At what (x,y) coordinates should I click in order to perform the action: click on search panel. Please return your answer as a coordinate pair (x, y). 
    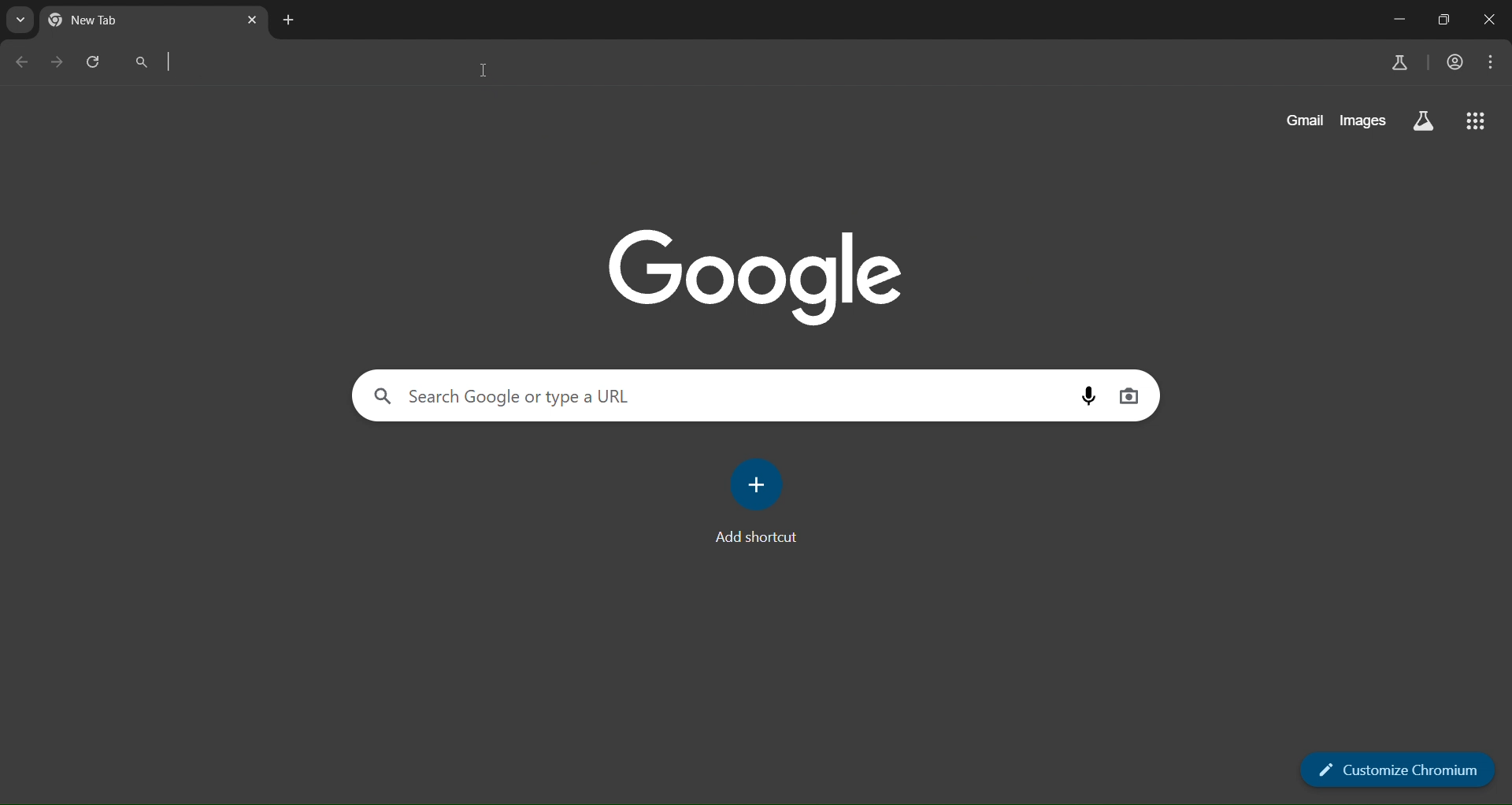
    Looking at the image, I should click on (282, 61).